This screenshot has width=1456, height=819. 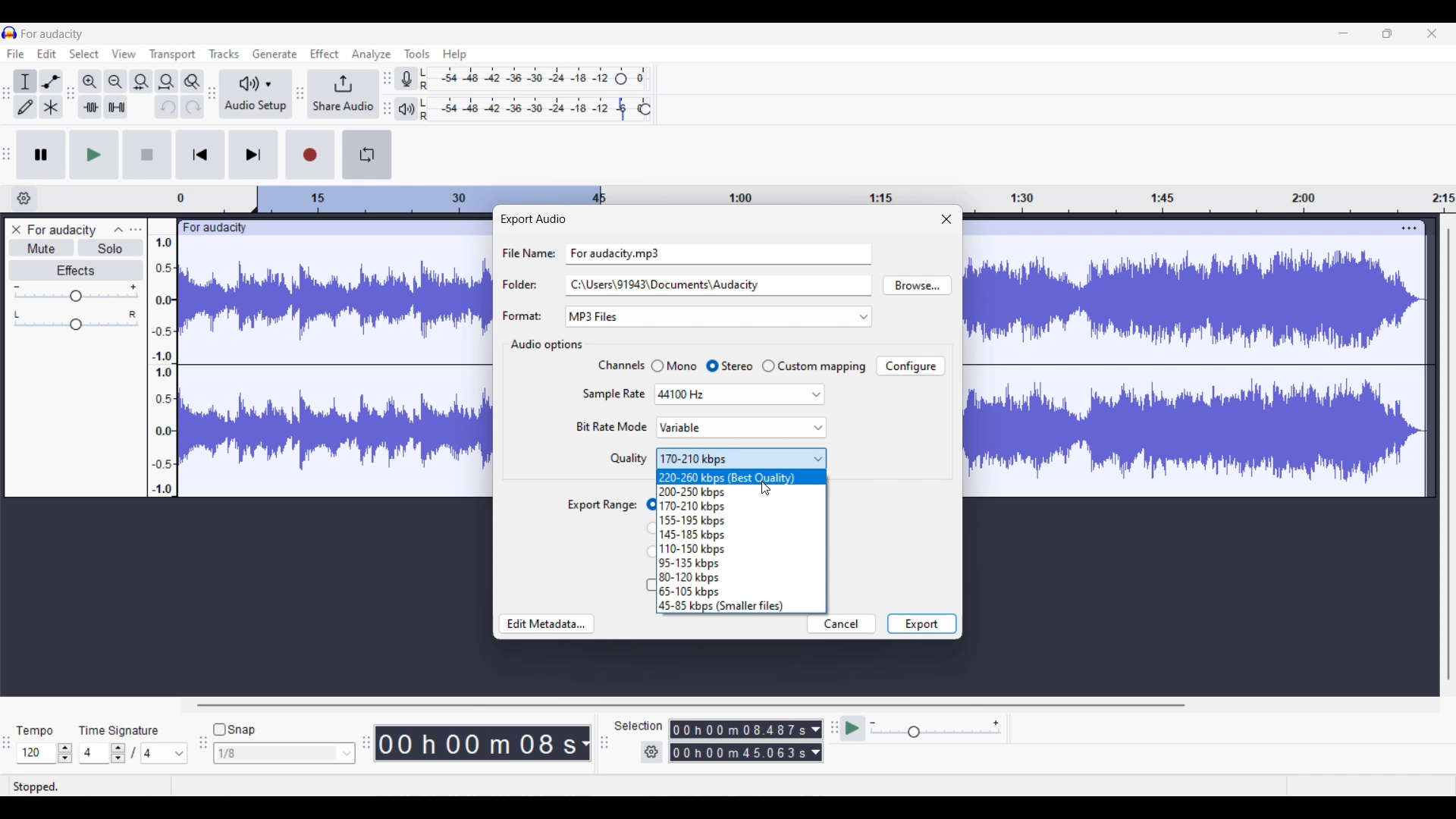 What do you see at coordinates (815, 752) in the screenshot?
I see `Duration measurement` at bounding box center [815, 752].